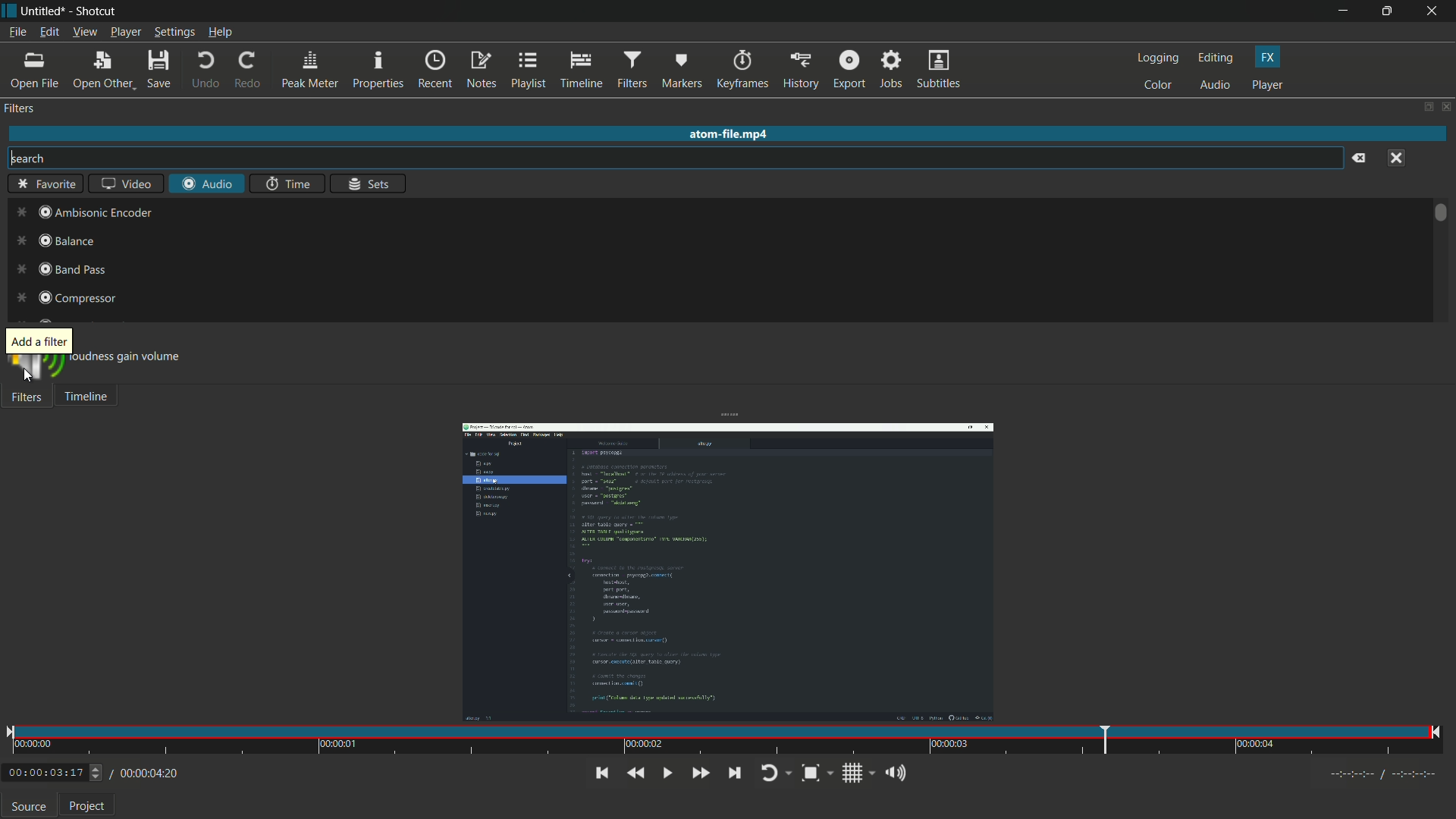 This screenshot has height=819, width=1456. I want to click on close menu, so click(1396, 159).